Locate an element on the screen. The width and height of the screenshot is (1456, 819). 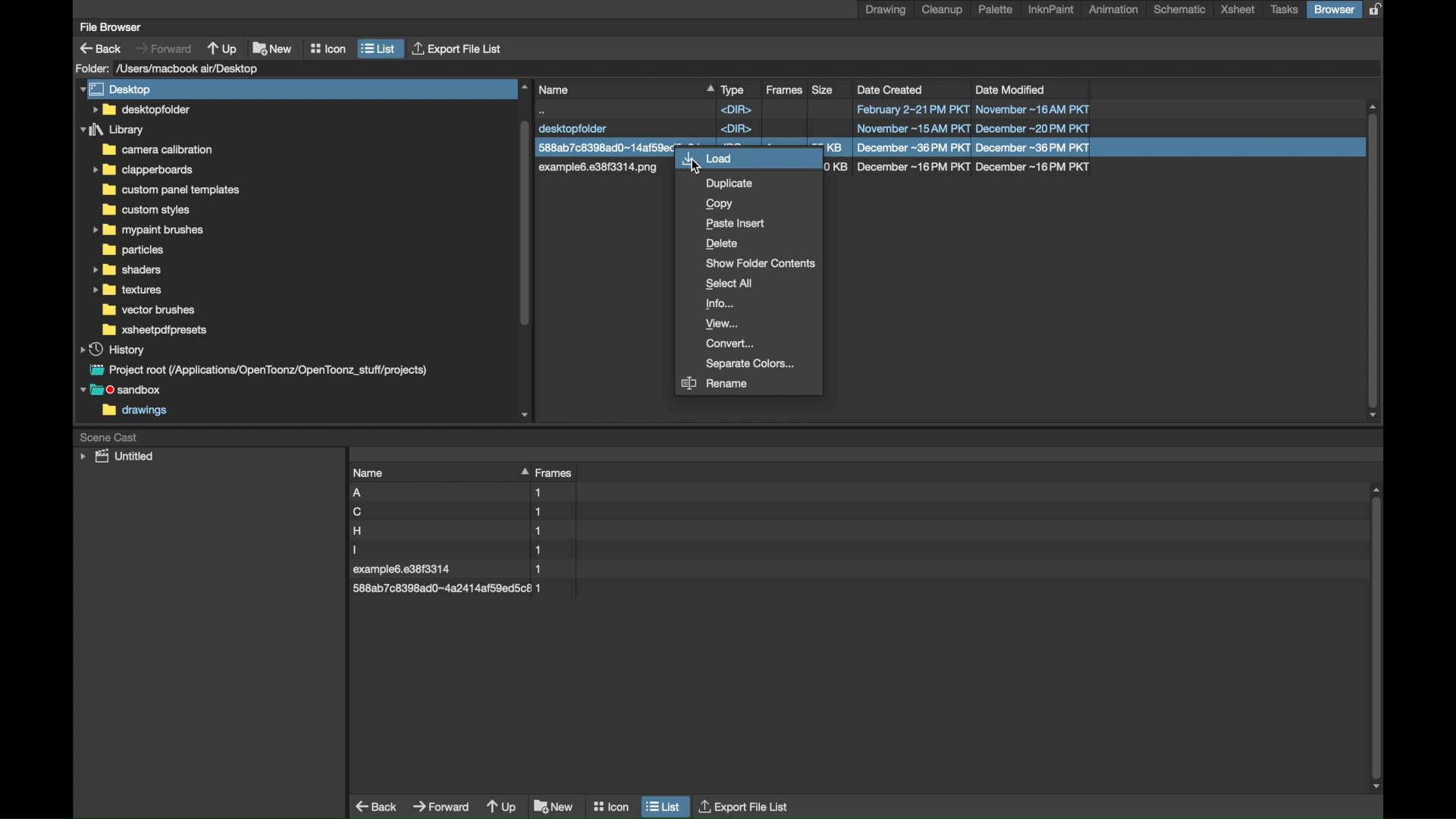
name is located at coordinates (369, 472).